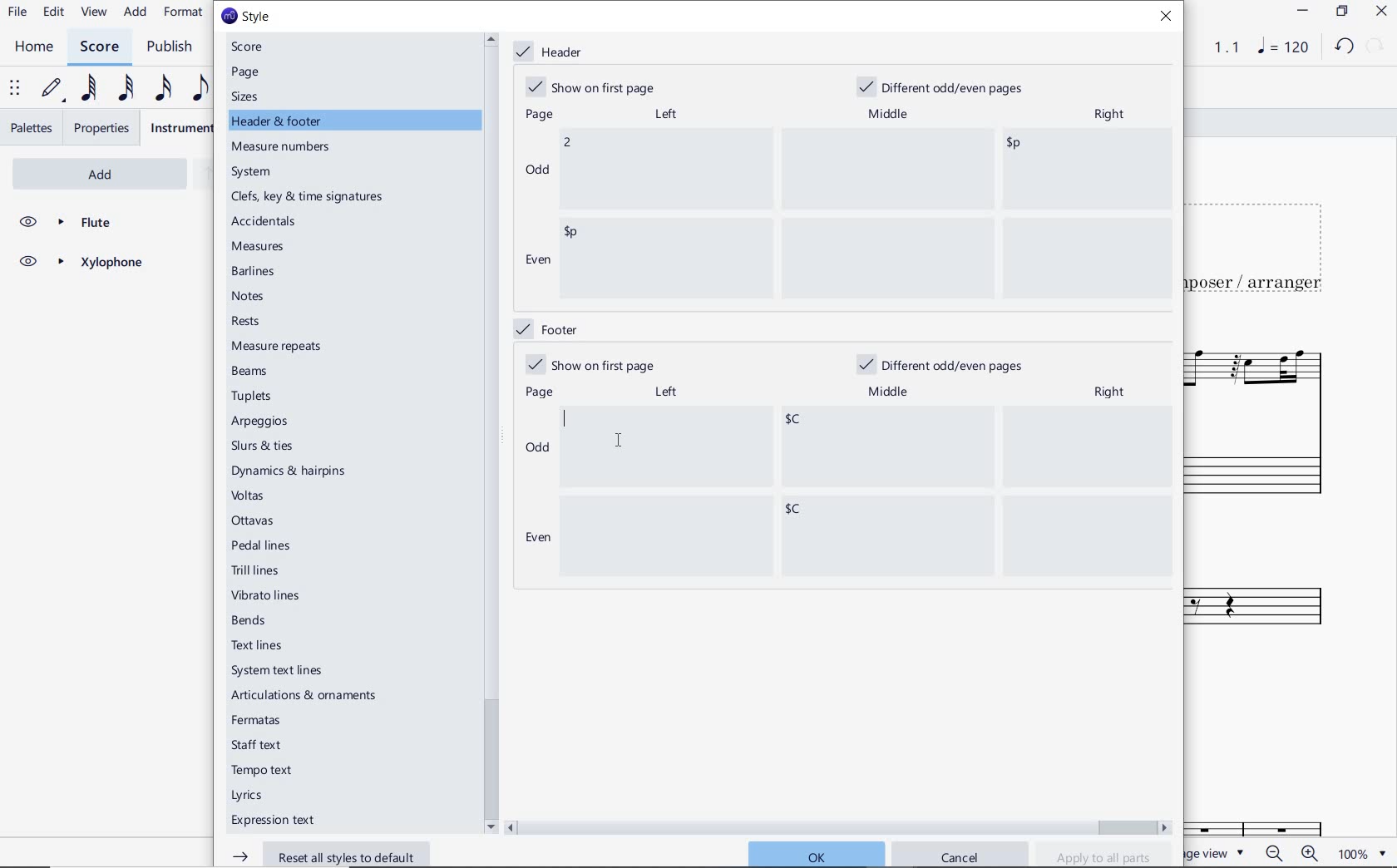 The width and height of the screenshot is (1397, 868). I want to click on VIEW, so click(95, 12).